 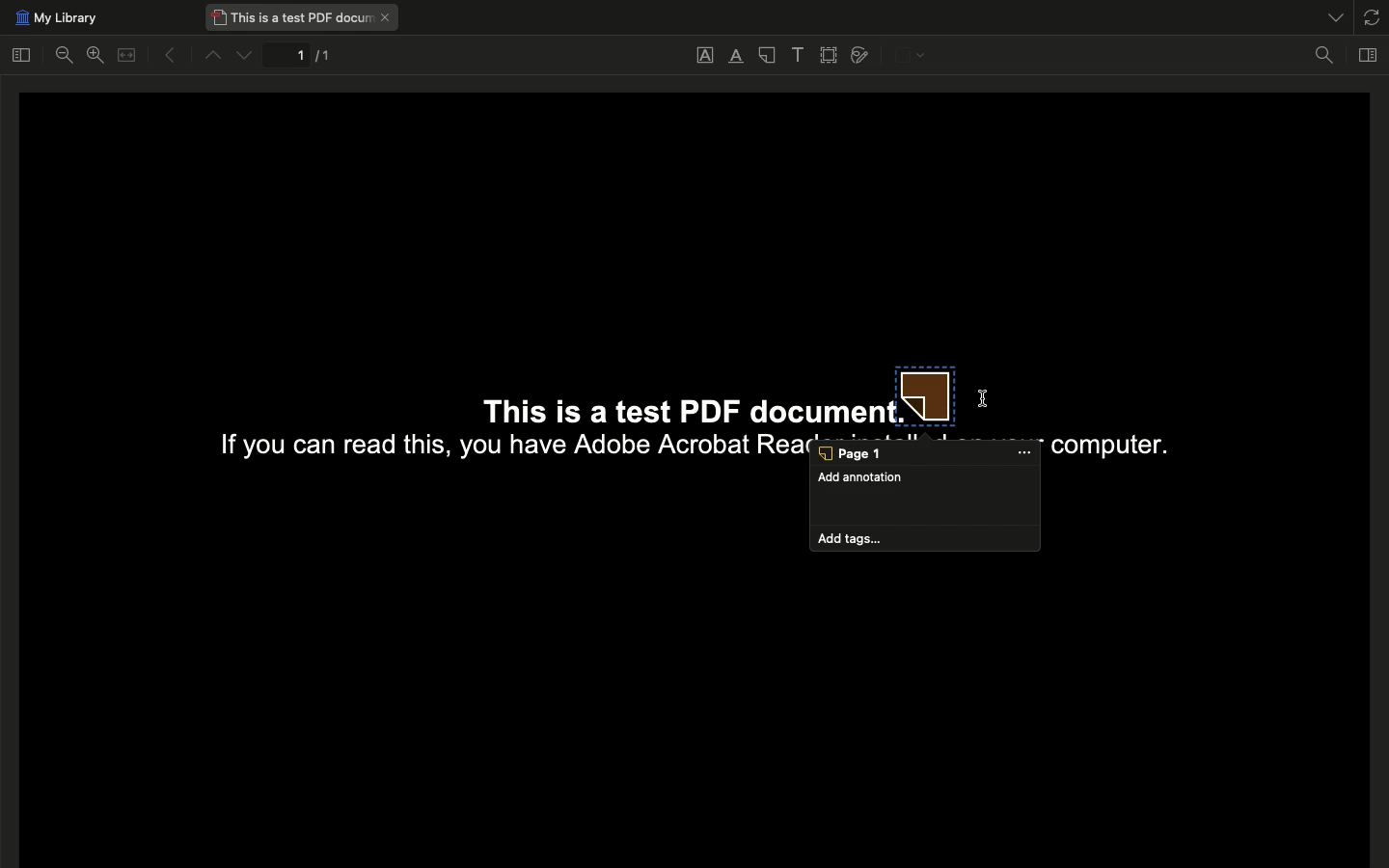 I want to click on Note annotation, so click(x=927, y=396).